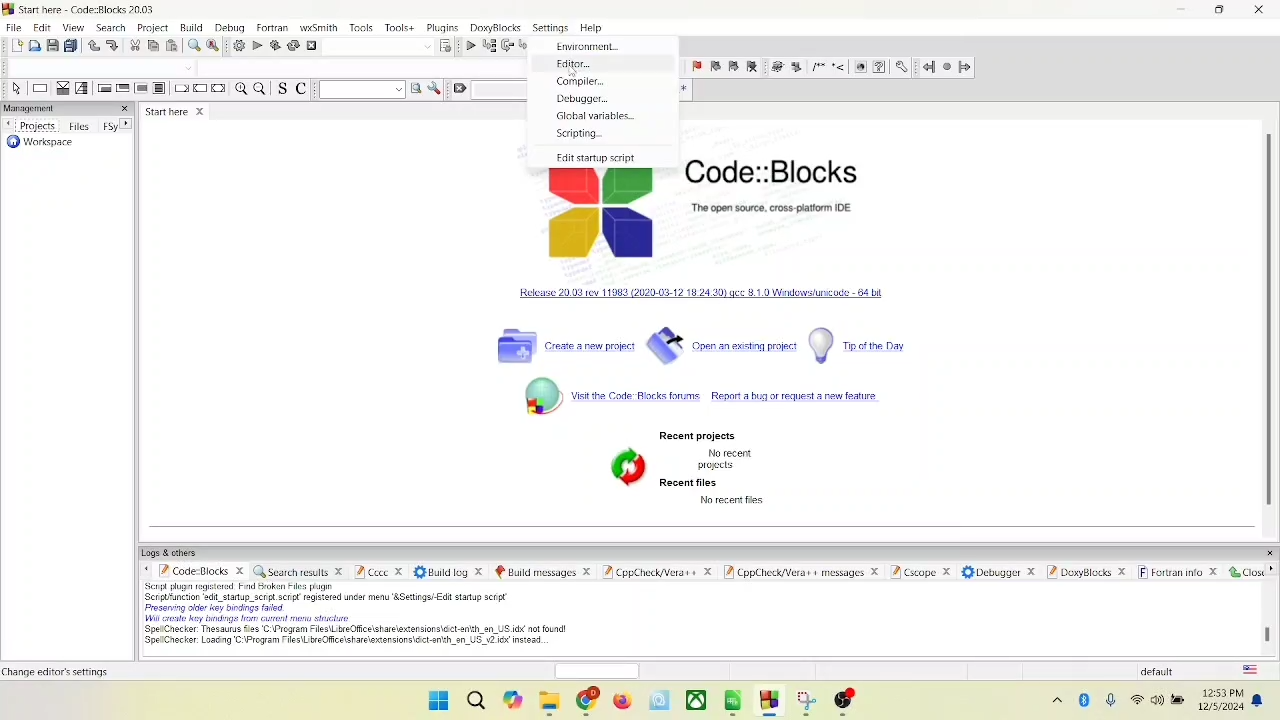  Describe the element at coordinates (1082, 703) in the screenshot. I see `bluetooth` at that location.